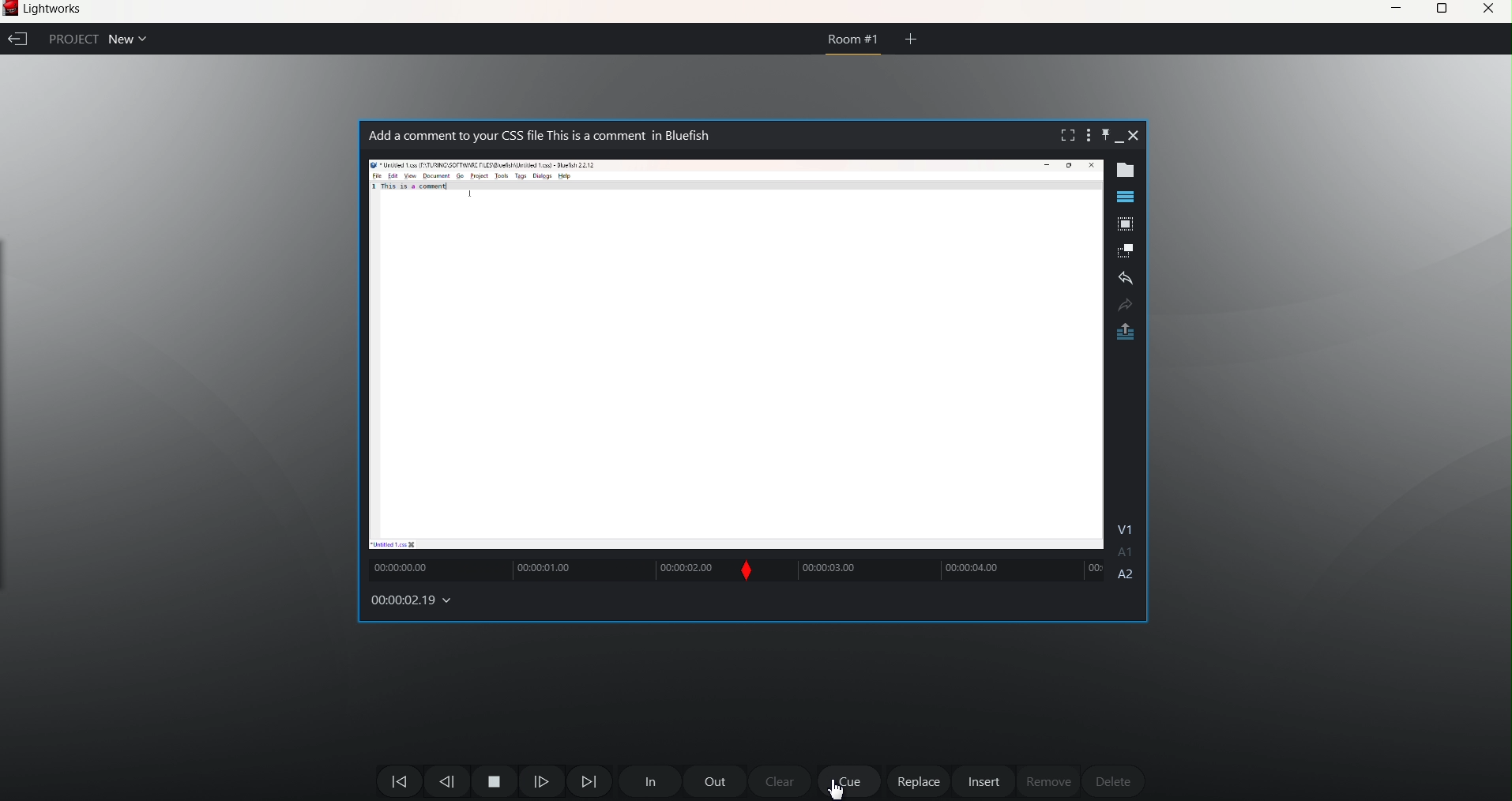  I want to click on Project, so click(70, 38).